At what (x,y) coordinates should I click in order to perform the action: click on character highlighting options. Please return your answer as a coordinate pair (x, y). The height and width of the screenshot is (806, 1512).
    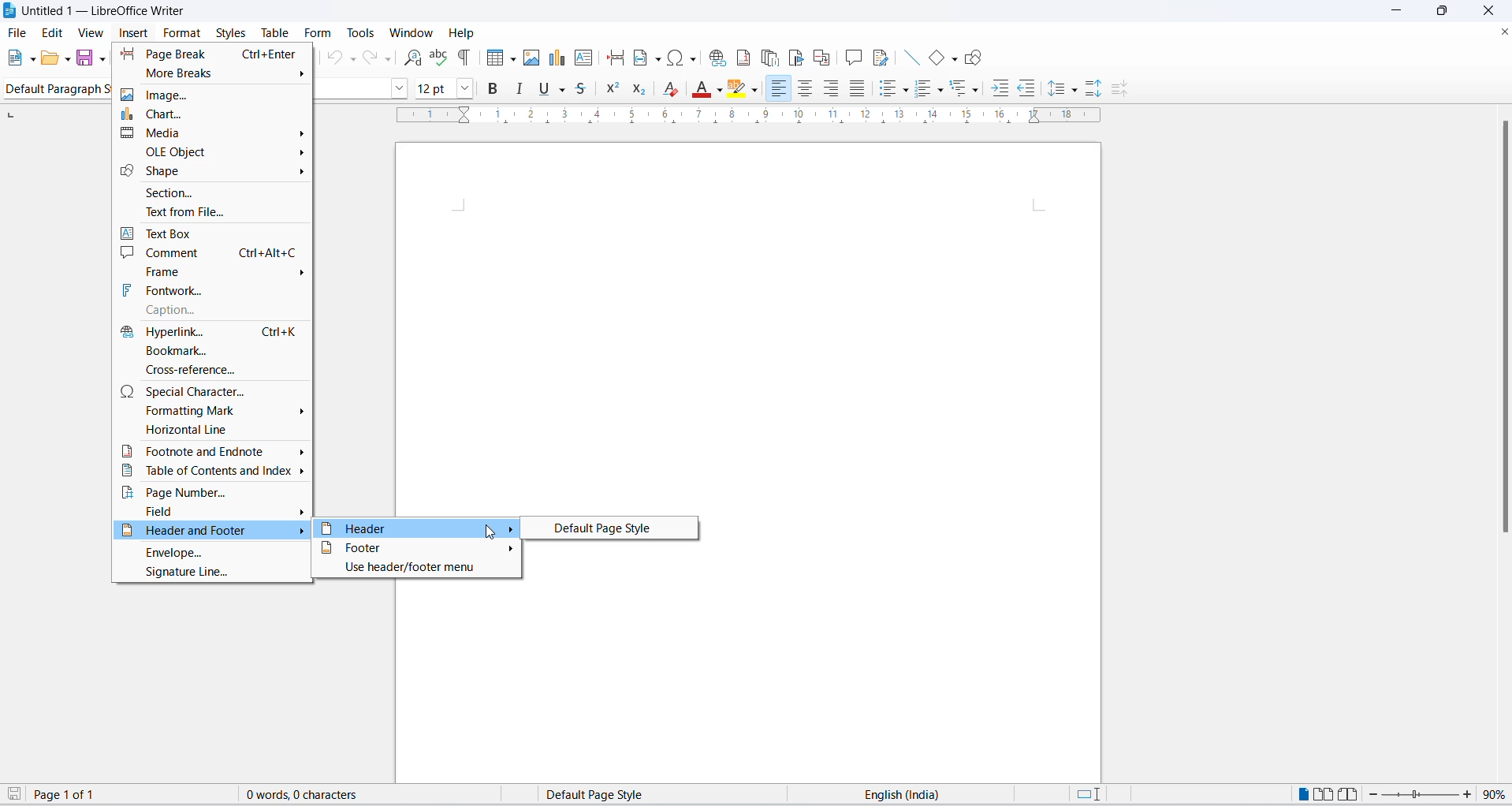
    Looking at the image, I should click on (758, 89).